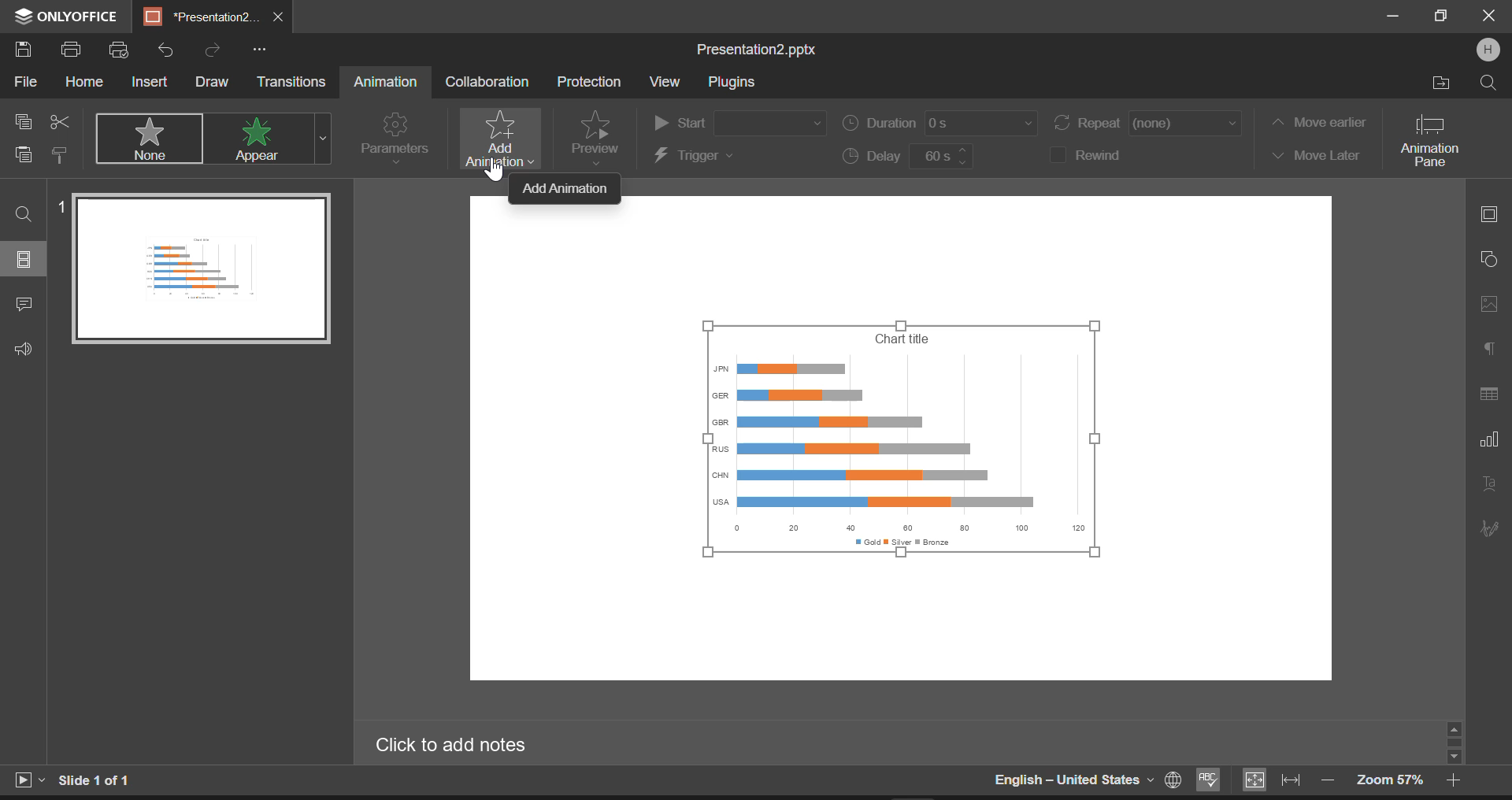  Describe the element at coordinates (24, 120) in the screenshot. I see `Copy` at that location.